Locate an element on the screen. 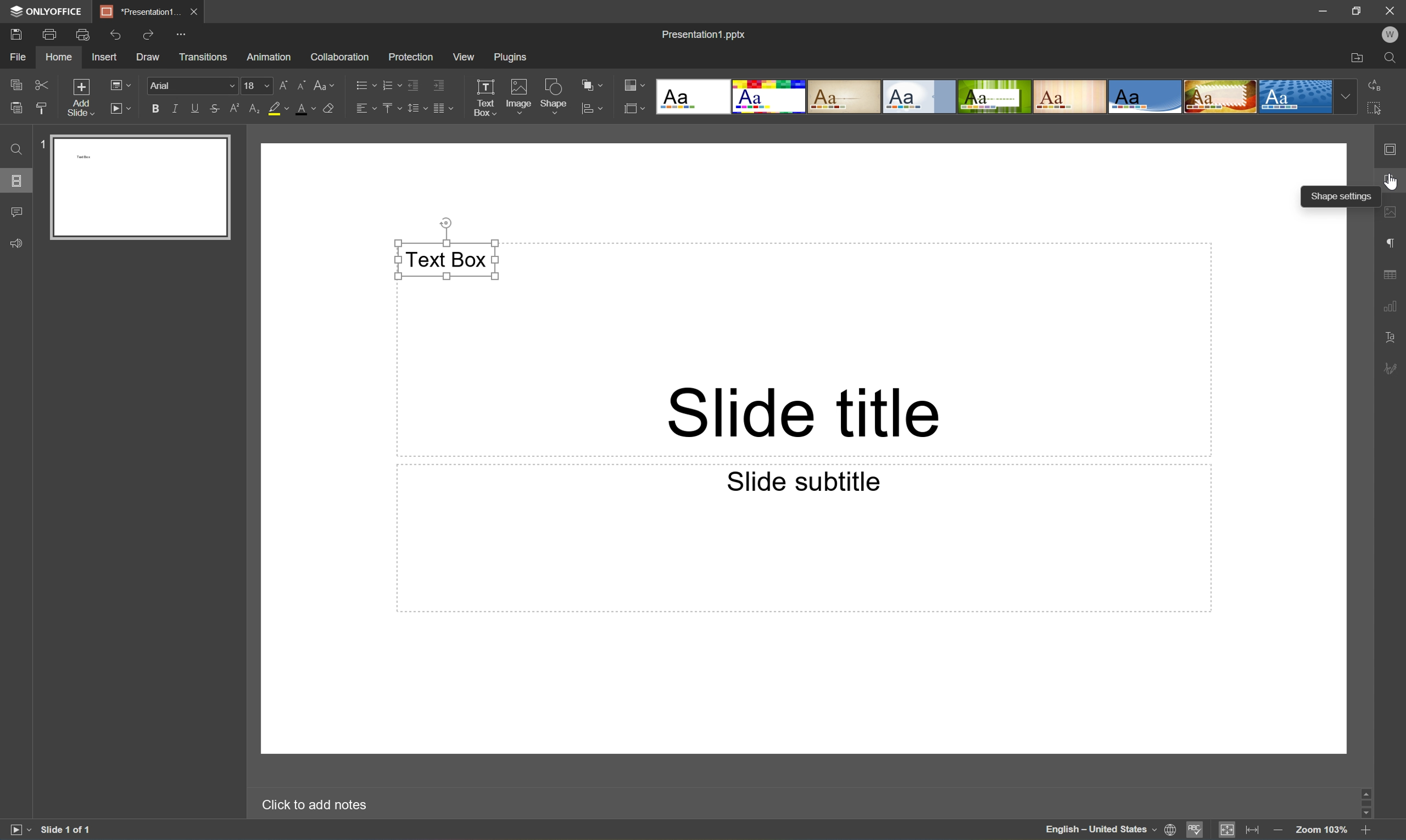 The height and width of the screenshot is (840, 1406). Print file is located at coordinates (50, 33).